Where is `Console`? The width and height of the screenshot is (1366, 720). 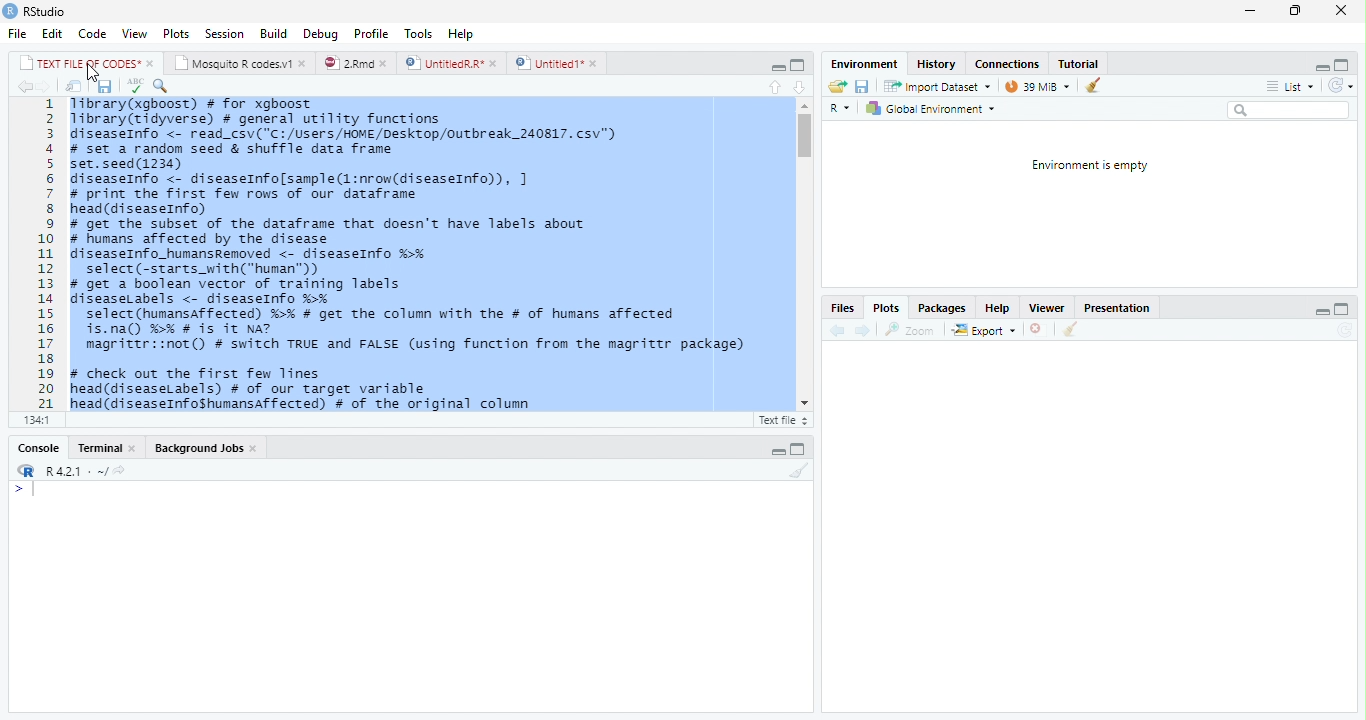
Console is located at coordinates (39, 447).